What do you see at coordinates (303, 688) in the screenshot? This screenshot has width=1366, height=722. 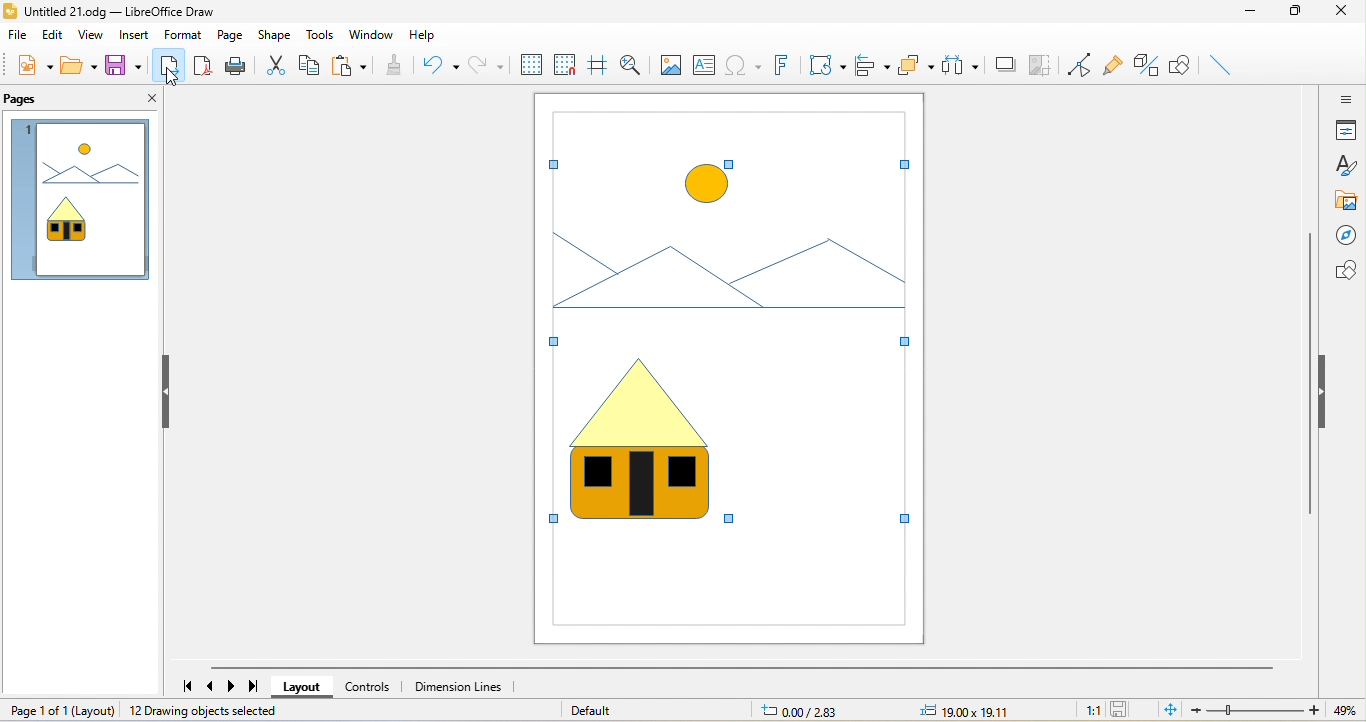 I see `layout` at bounding box center [303, 688].